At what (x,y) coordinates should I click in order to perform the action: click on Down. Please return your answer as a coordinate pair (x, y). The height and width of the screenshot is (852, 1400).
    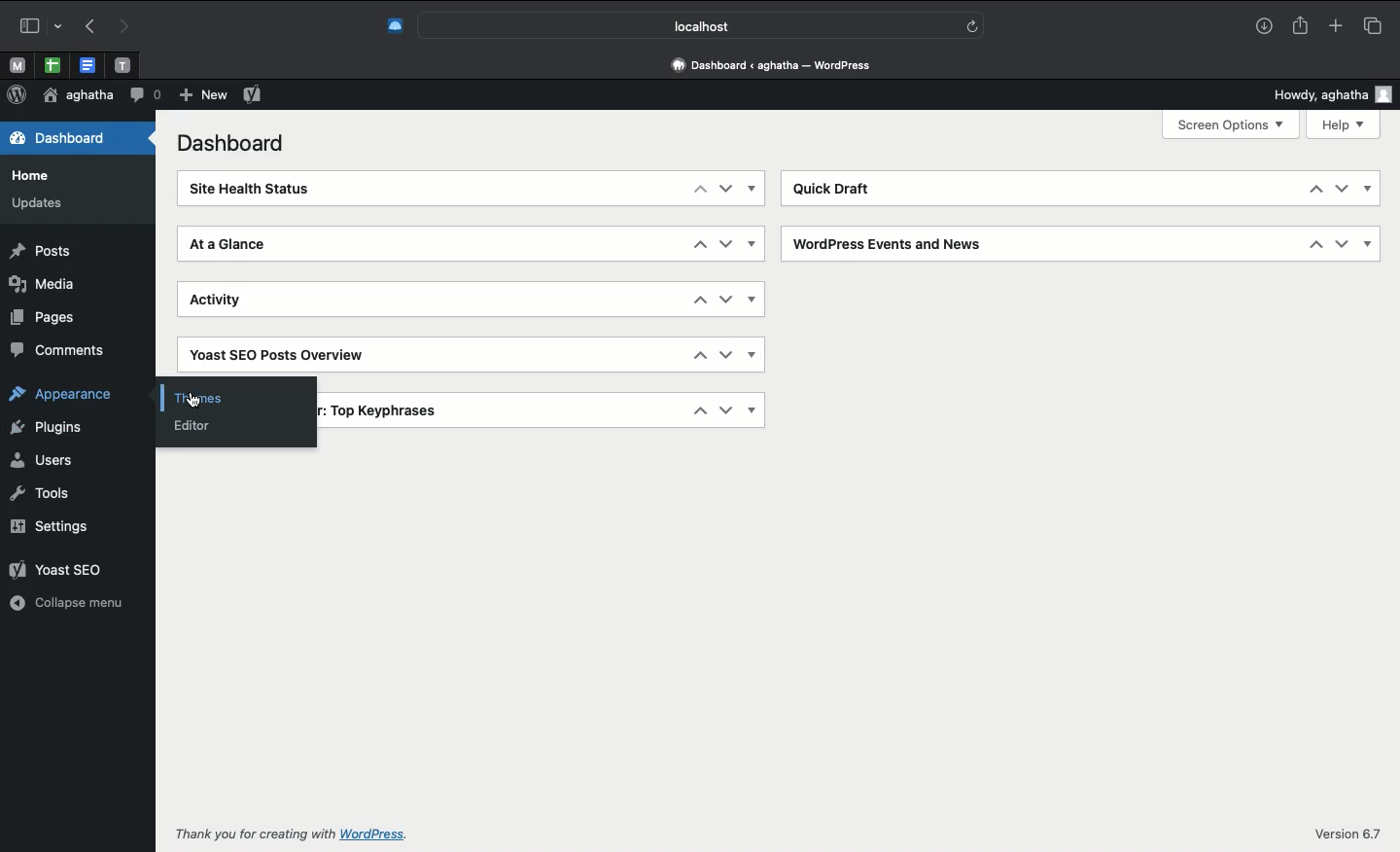
    Looking at the image, I should click on (1342, 244).